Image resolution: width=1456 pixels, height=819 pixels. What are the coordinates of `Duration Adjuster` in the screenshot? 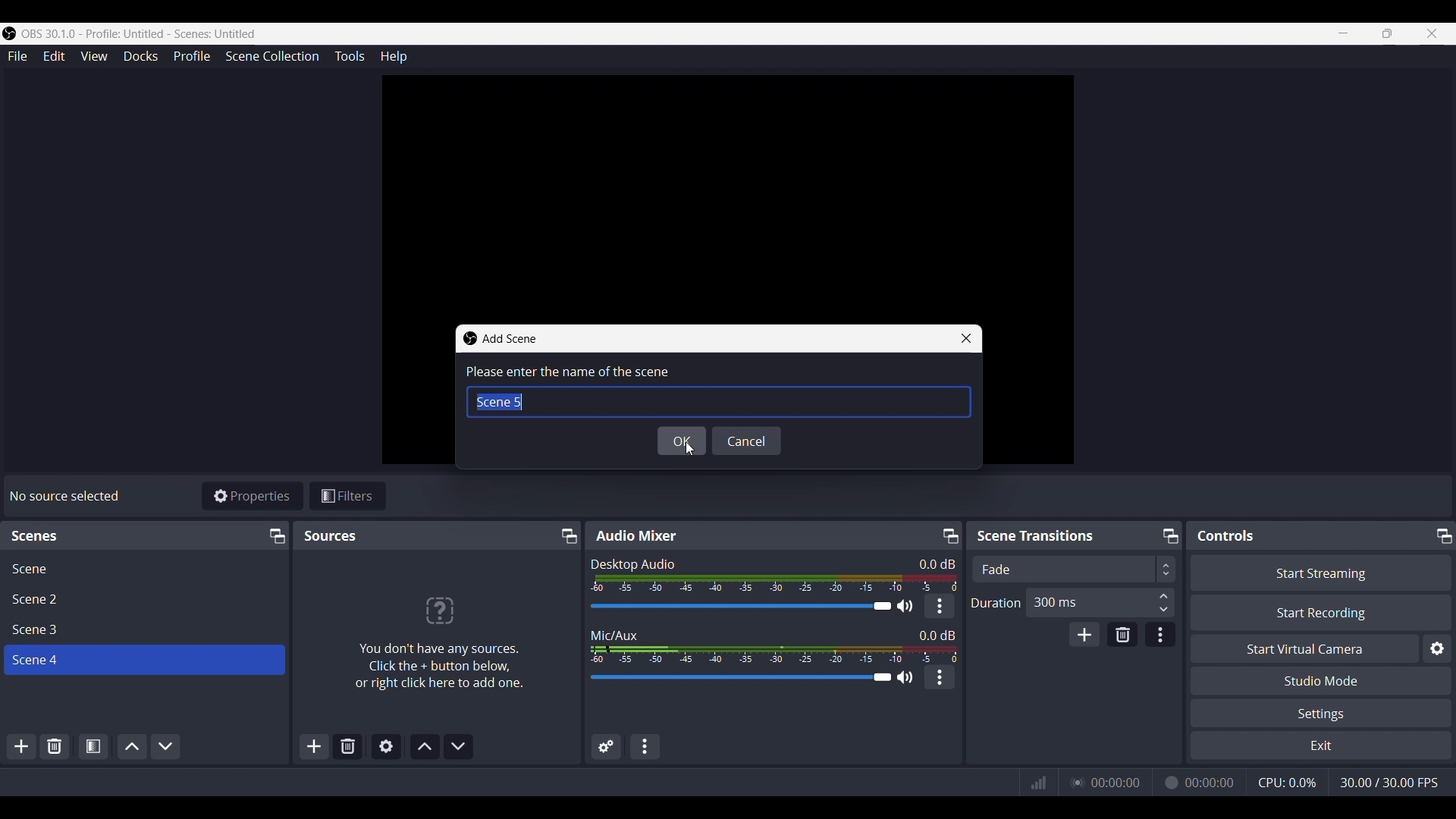 It's located at (995, 602).